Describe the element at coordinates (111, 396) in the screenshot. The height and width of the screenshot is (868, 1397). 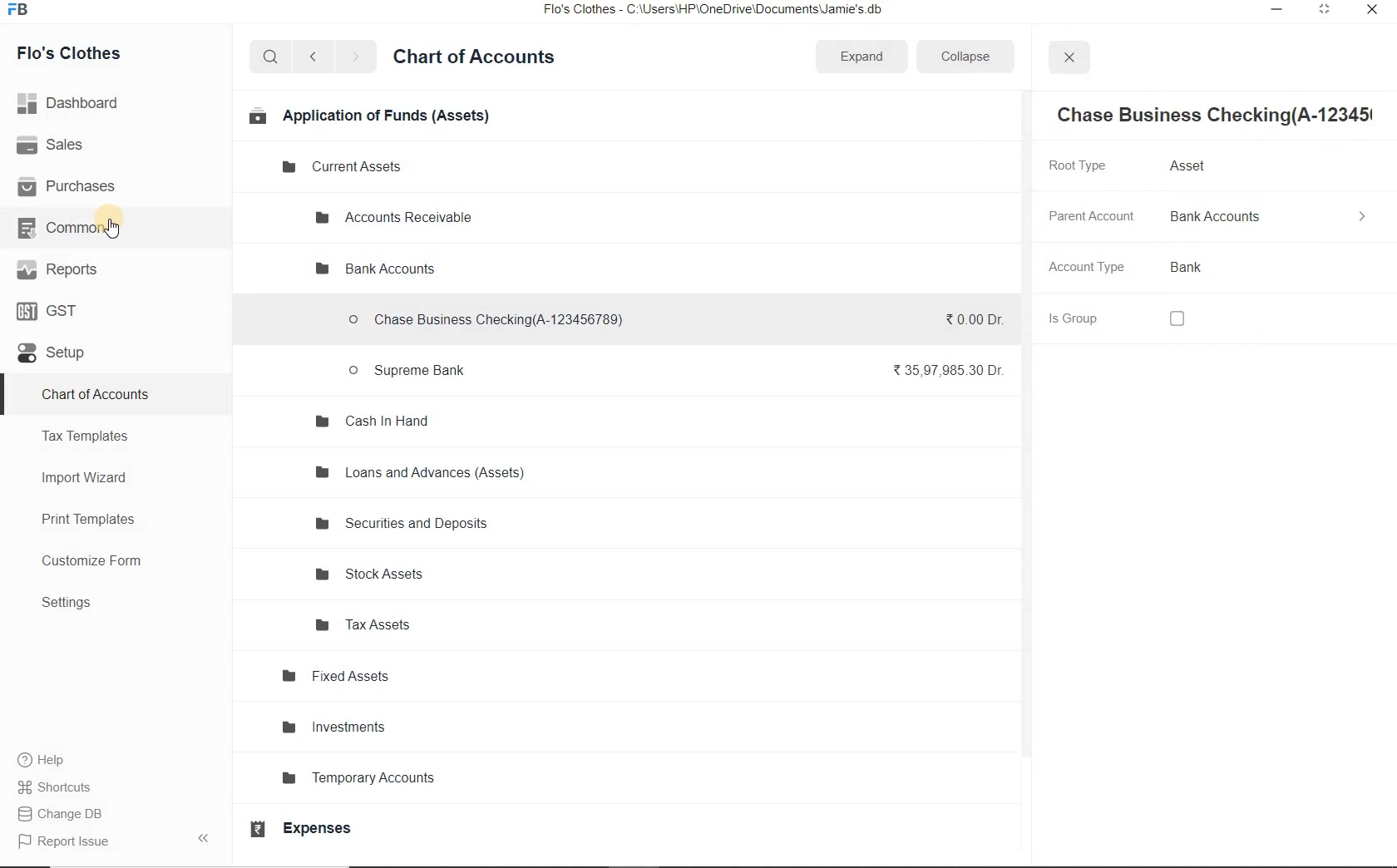
I see `chart of Accounts` at that location.